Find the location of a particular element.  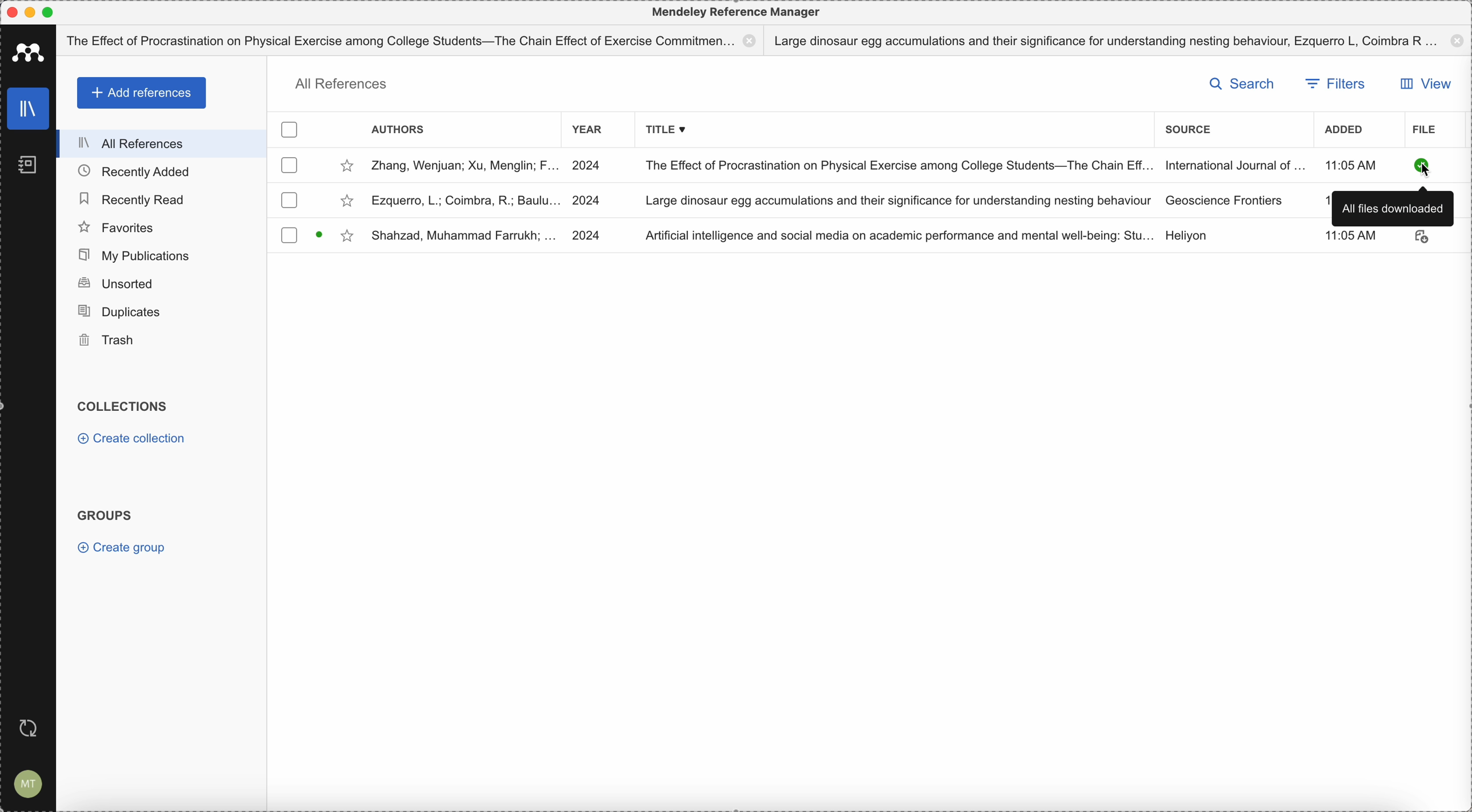

Heliyon is located at coordinates (1189, 237).